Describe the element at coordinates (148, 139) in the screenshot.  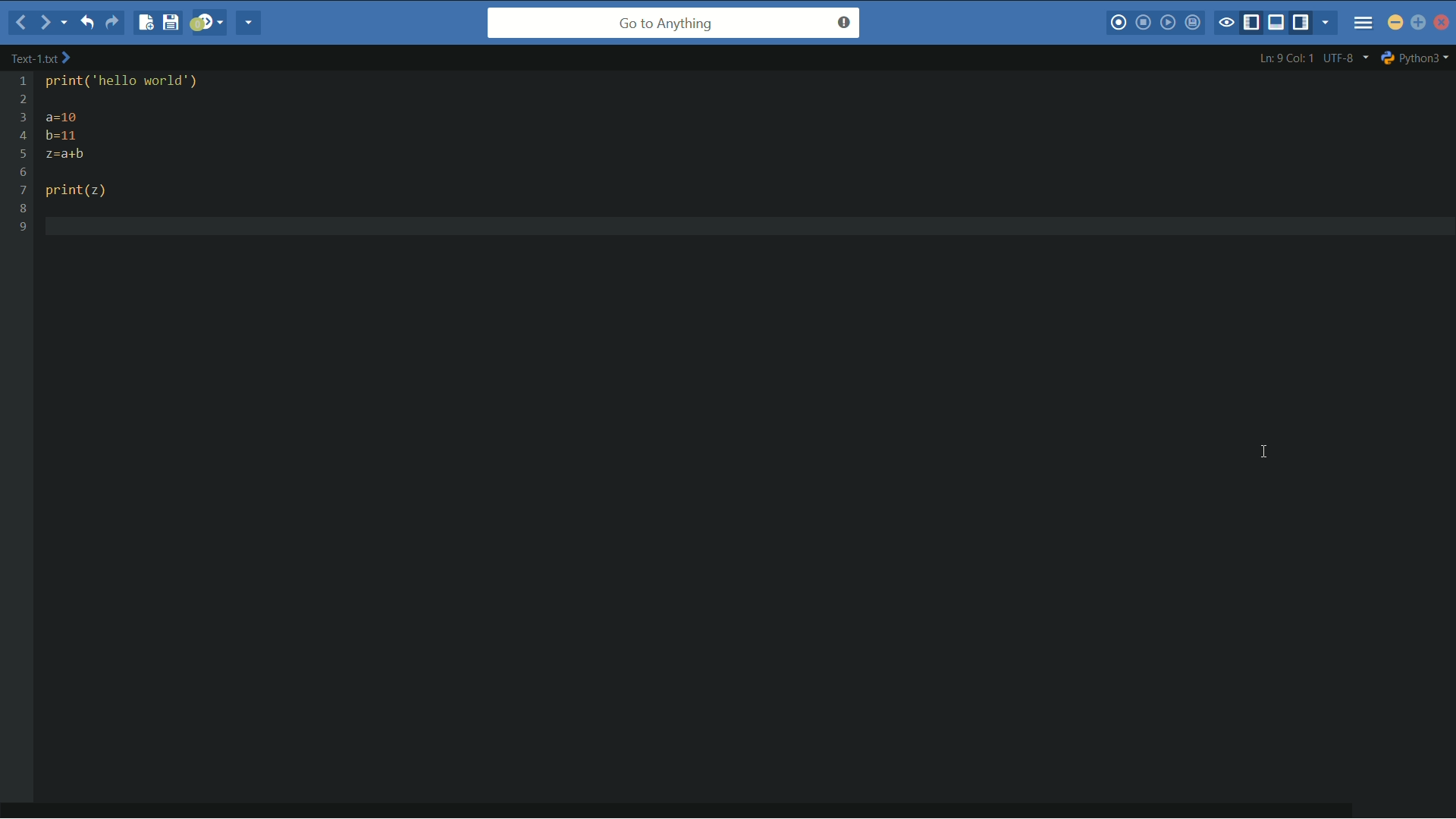
I see `print( ‘hello world")
a=10

b=11

z=a+b

print(z)` at that location.